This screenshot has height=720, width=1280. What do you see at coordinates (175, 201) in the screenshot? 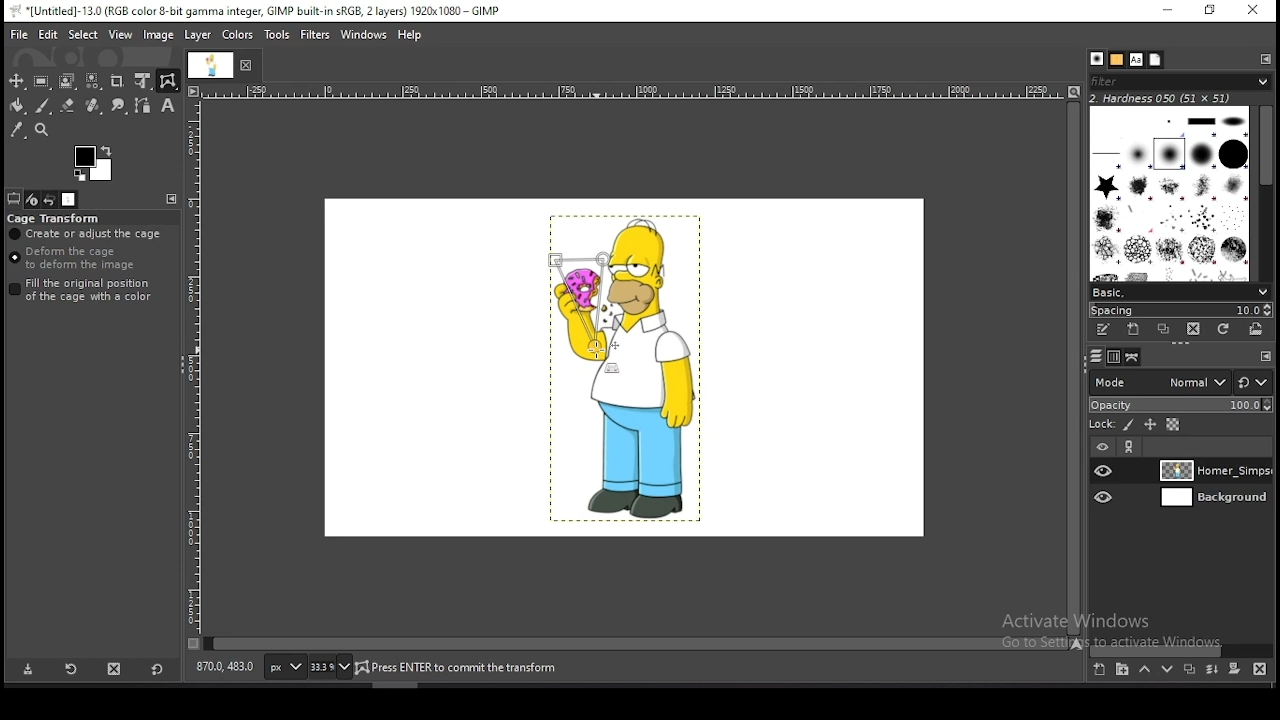
I see `configure this tab` at bounding box center [175, 201].